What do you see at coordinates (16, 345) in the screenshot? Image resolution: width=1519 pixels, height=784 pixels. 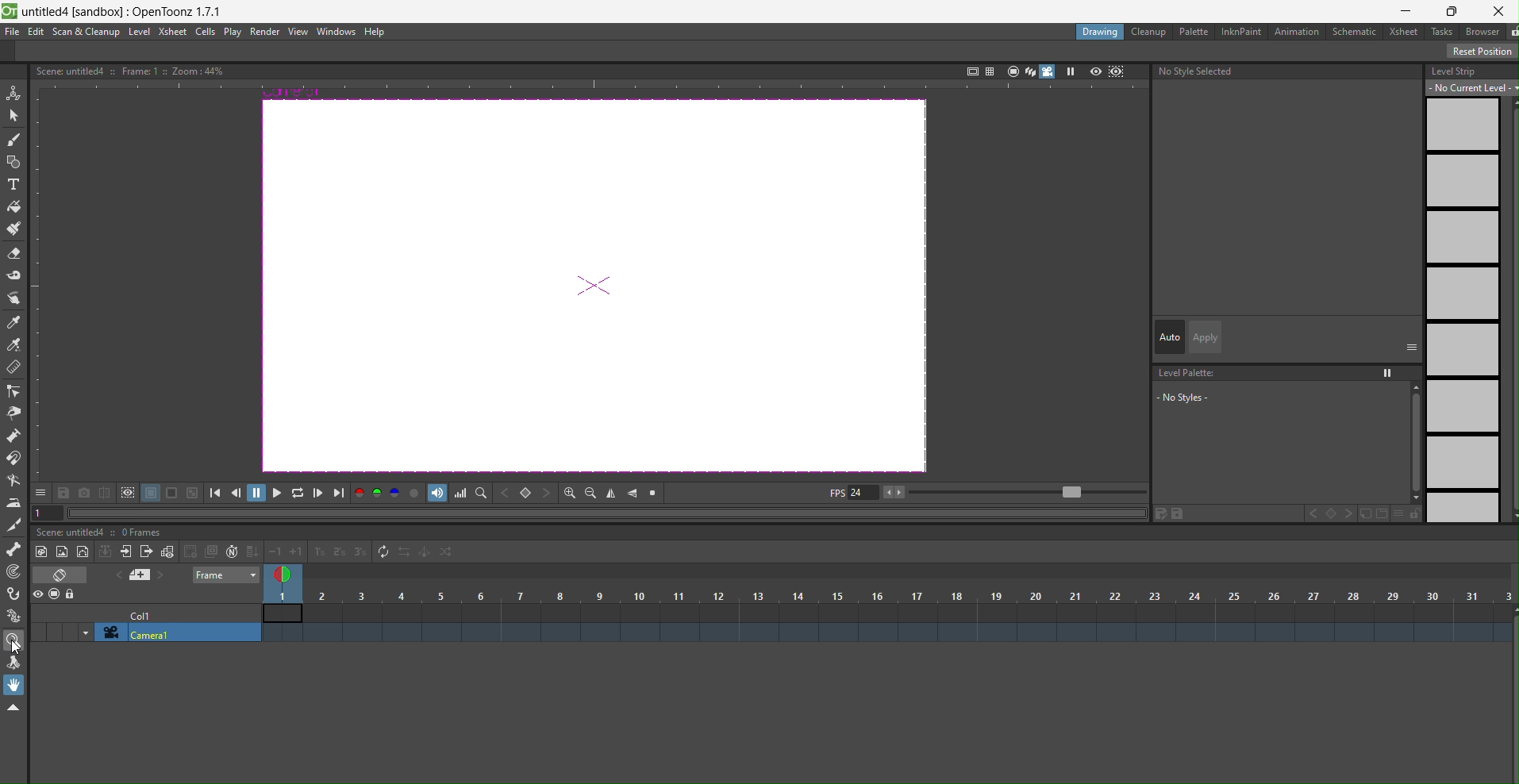 I see `` at bounding box center [16, 345].